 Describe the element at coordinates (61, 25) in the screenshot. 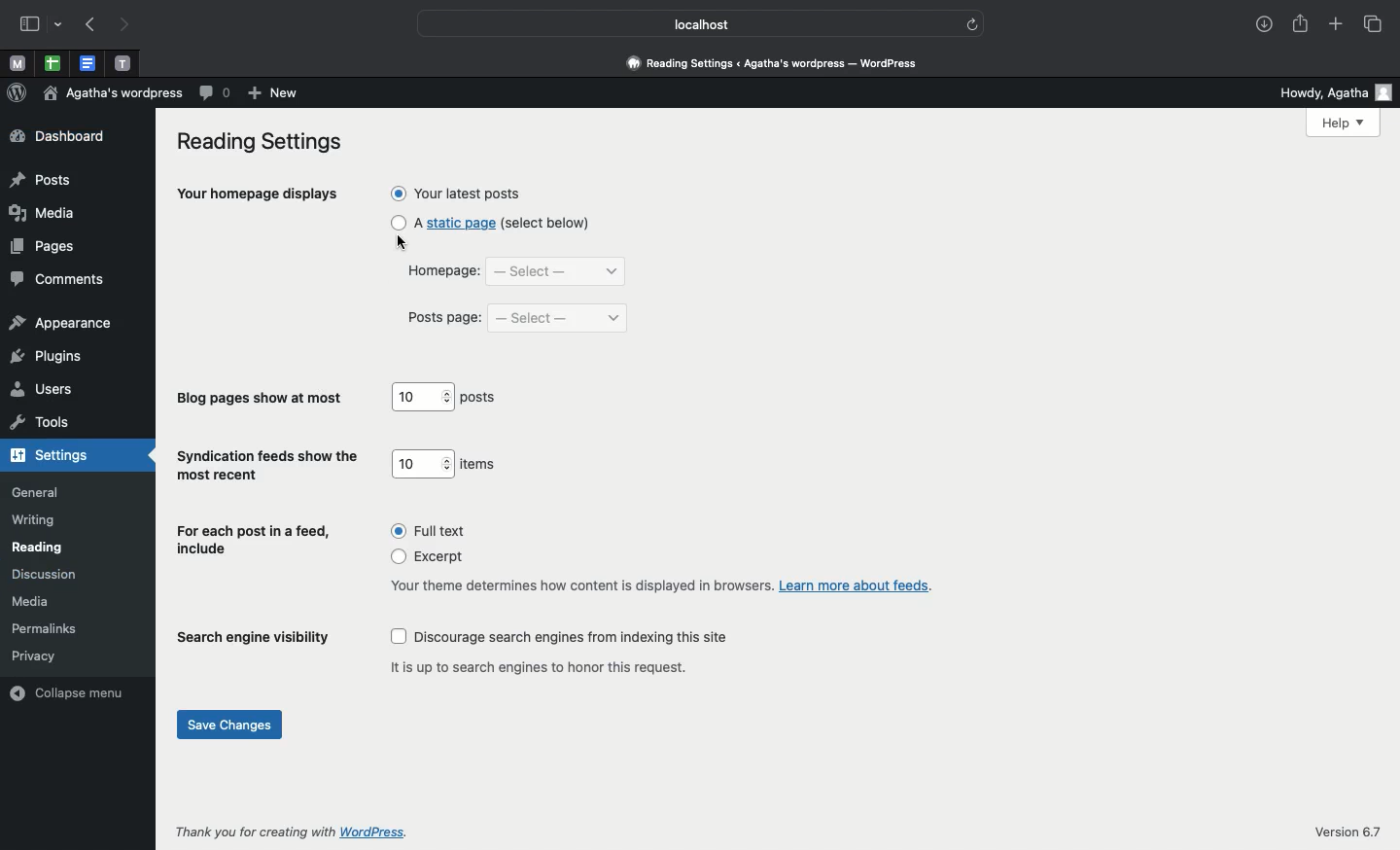

I see `drop-down` at that location.